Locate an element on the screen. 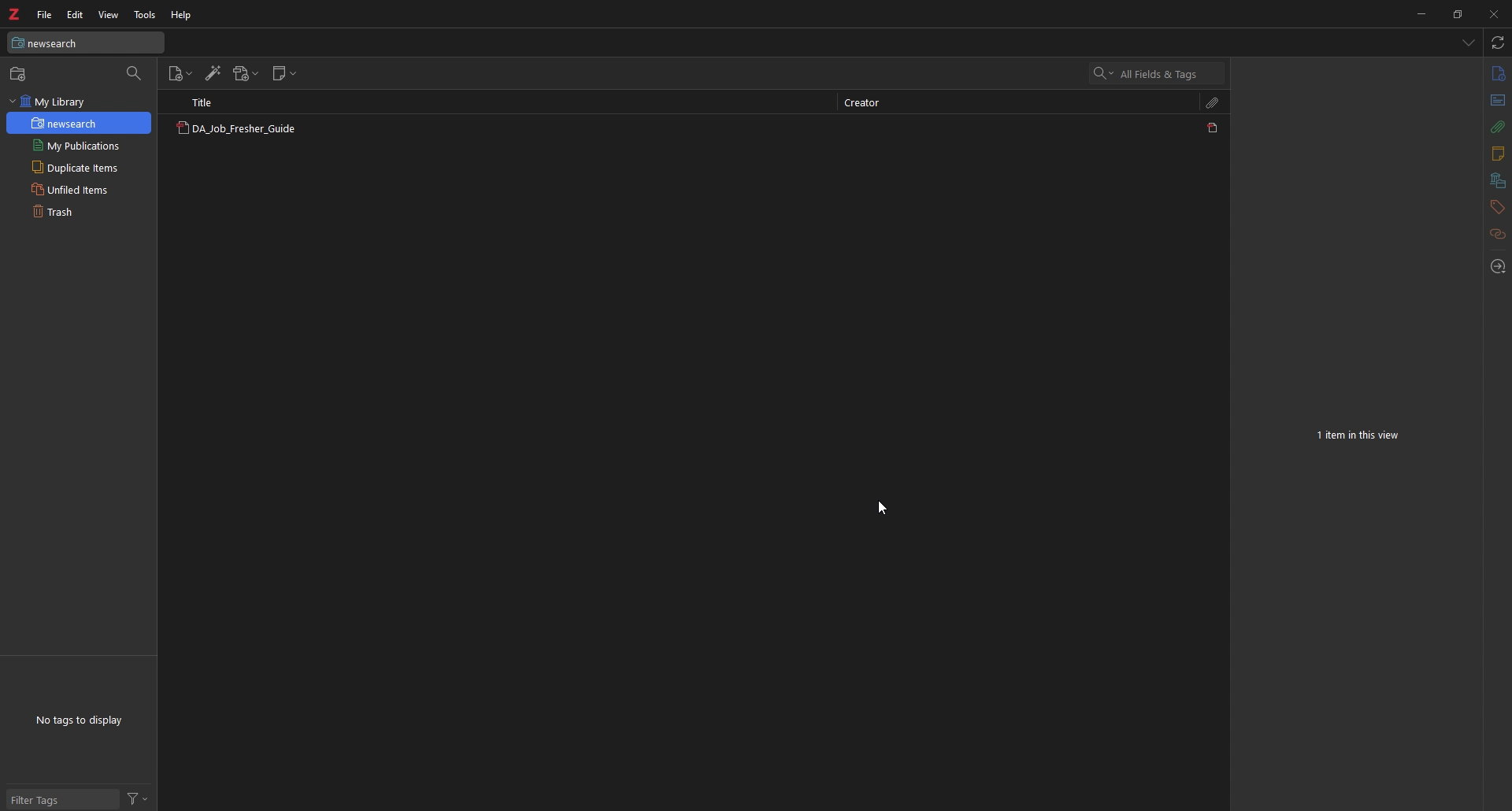 The height and width of the screenshot is (811, 1512). info is located at coordinates (1498, 73).